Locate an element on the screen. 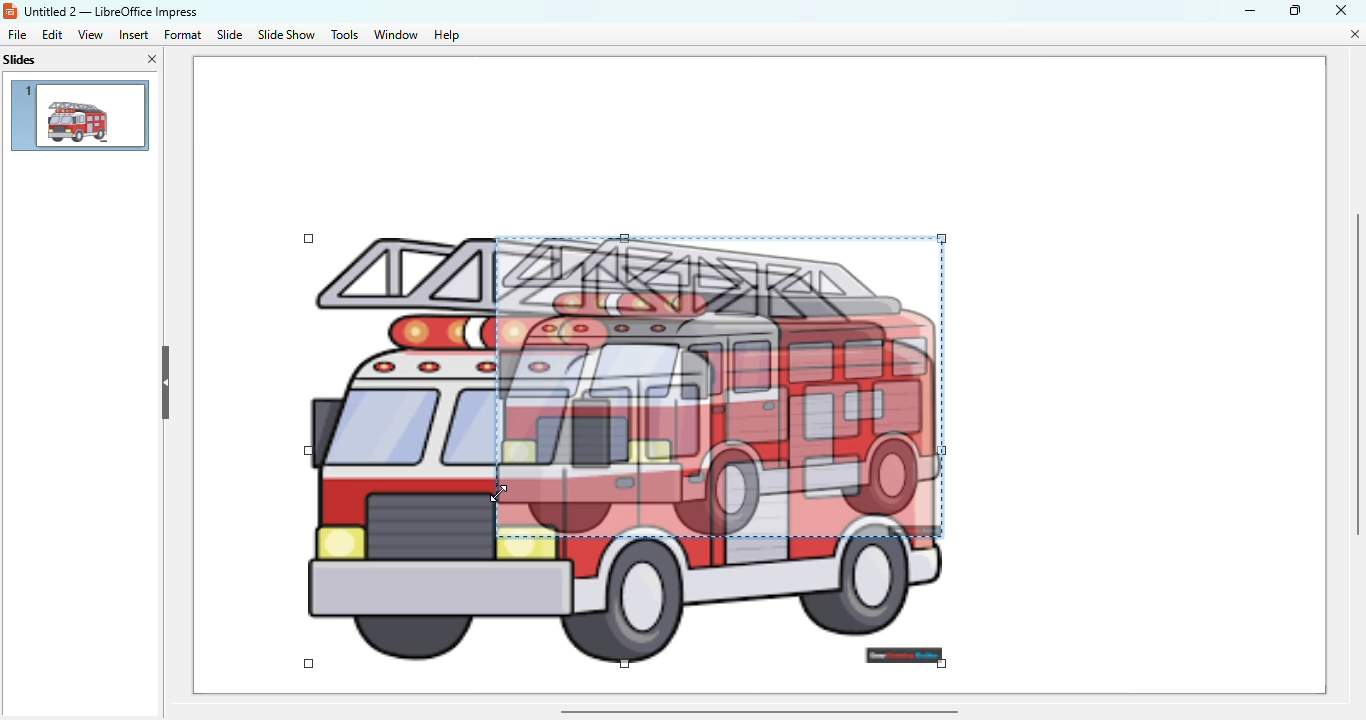 This screenshot has height=720, width=1366. slide show is located at coordinates (287, 34).